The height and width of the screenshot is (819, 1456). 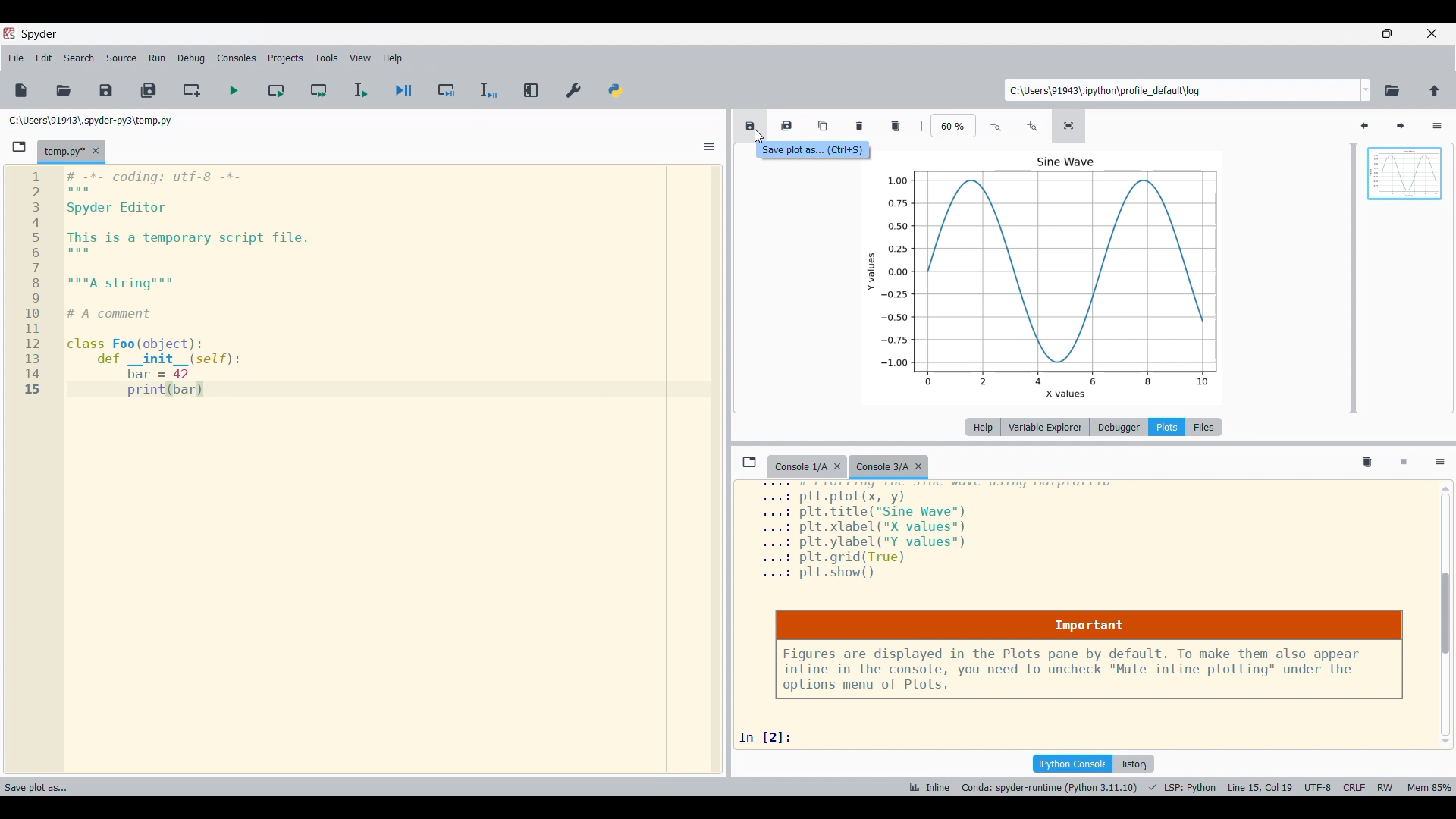 What do you see at coordinates (89, 120) in the screenshot?
I see `File location` at bounding box center [89, 120].